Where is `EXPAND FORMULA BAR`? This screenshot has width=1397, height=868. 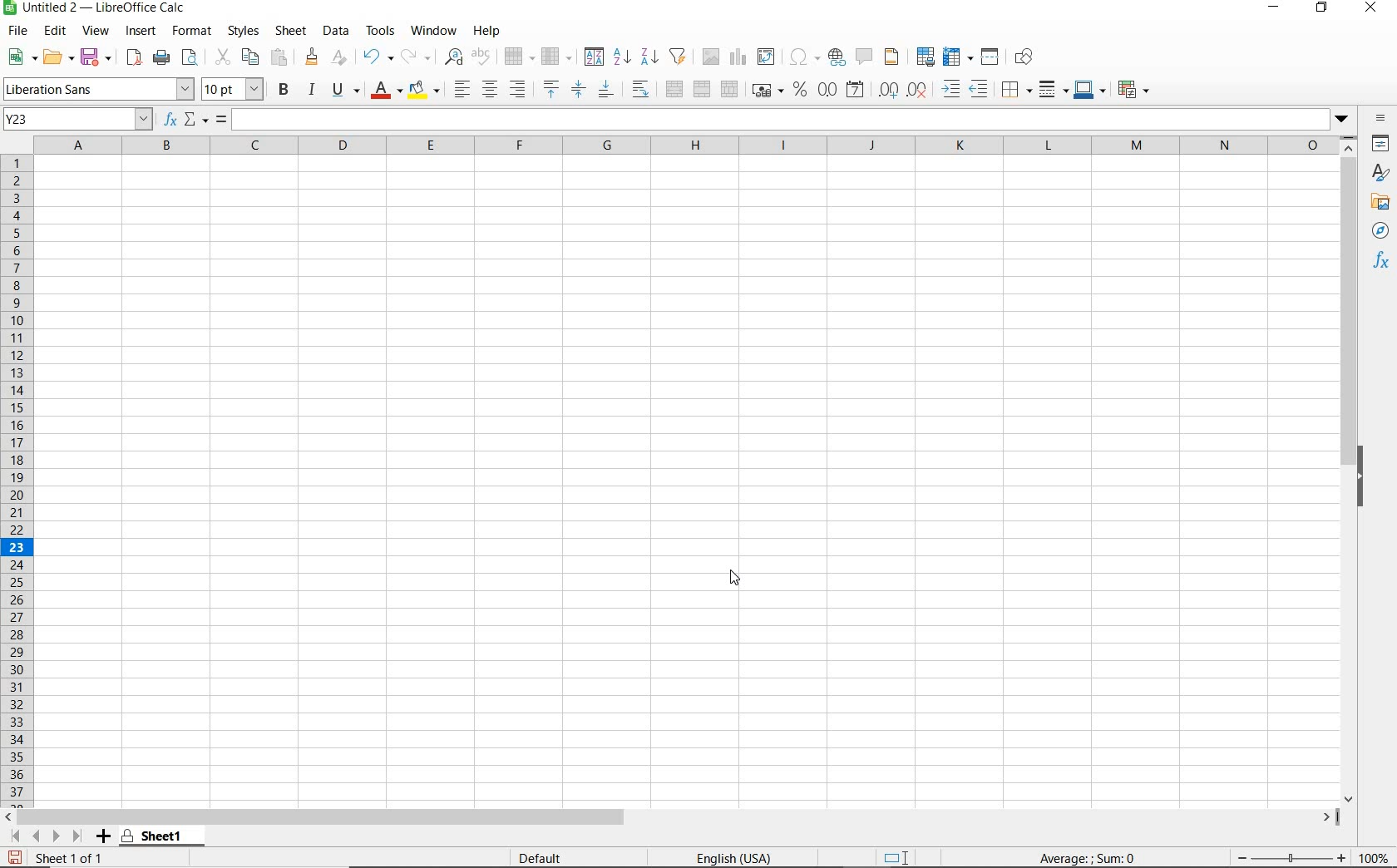
EXPAND FORMULA BAR is located at coordinates (794, 119).